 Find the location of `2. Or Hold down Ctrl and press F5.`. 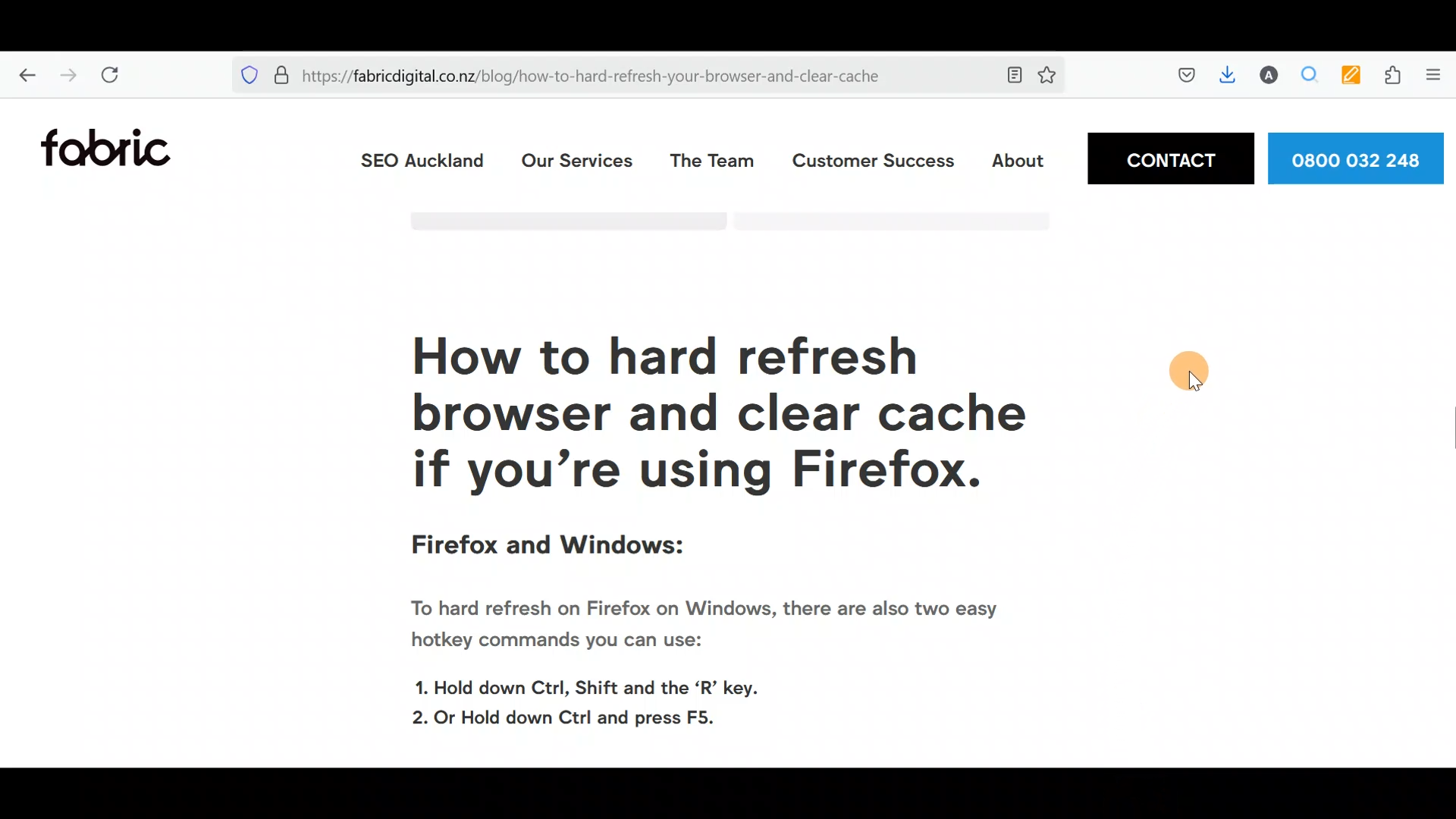

2. Or Hold down Ctrl and press F5. is located at coordinates (573, 717).